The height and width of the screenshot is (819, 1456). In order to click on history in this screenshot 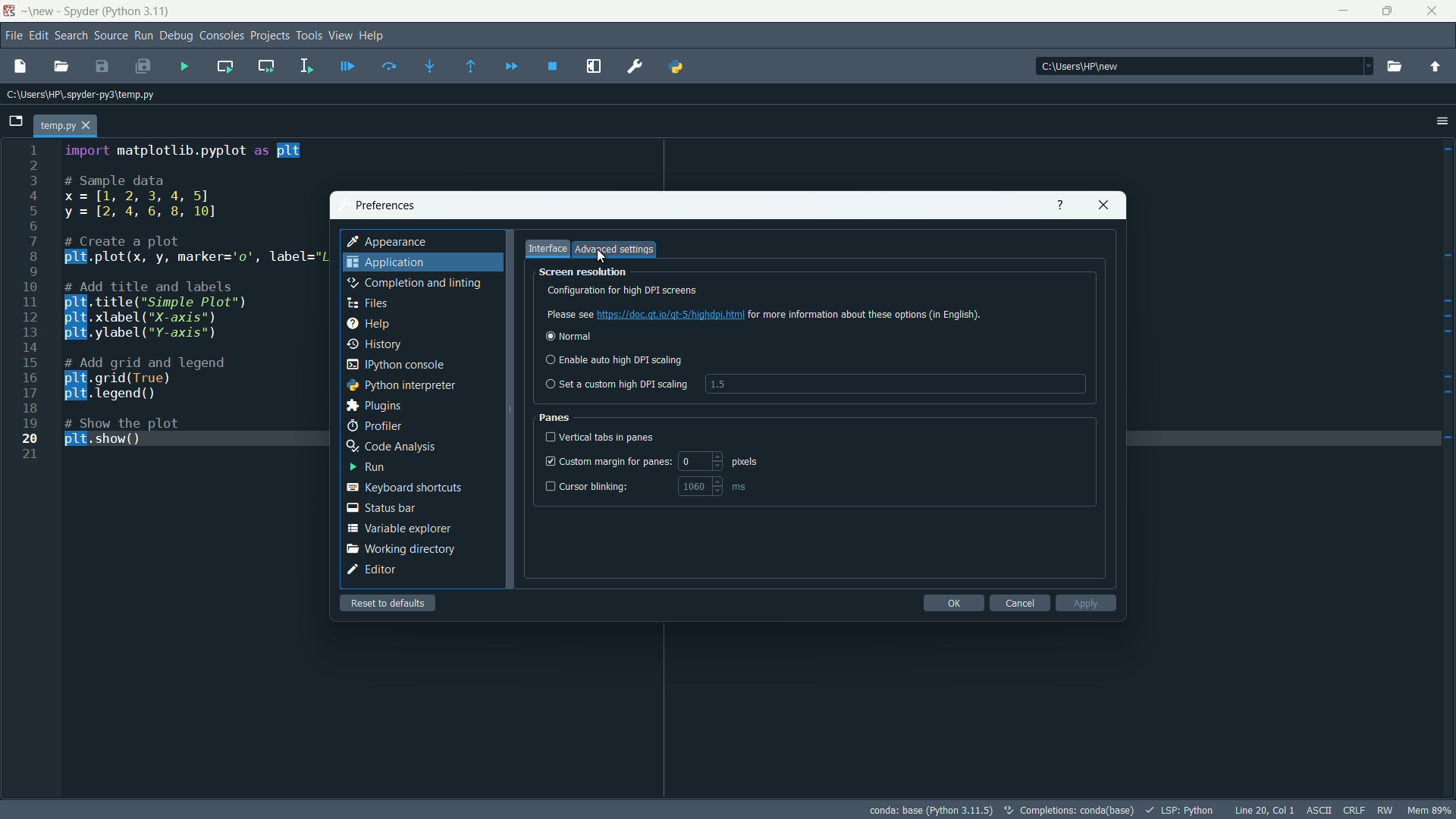, I will do `click(372, 344)`.